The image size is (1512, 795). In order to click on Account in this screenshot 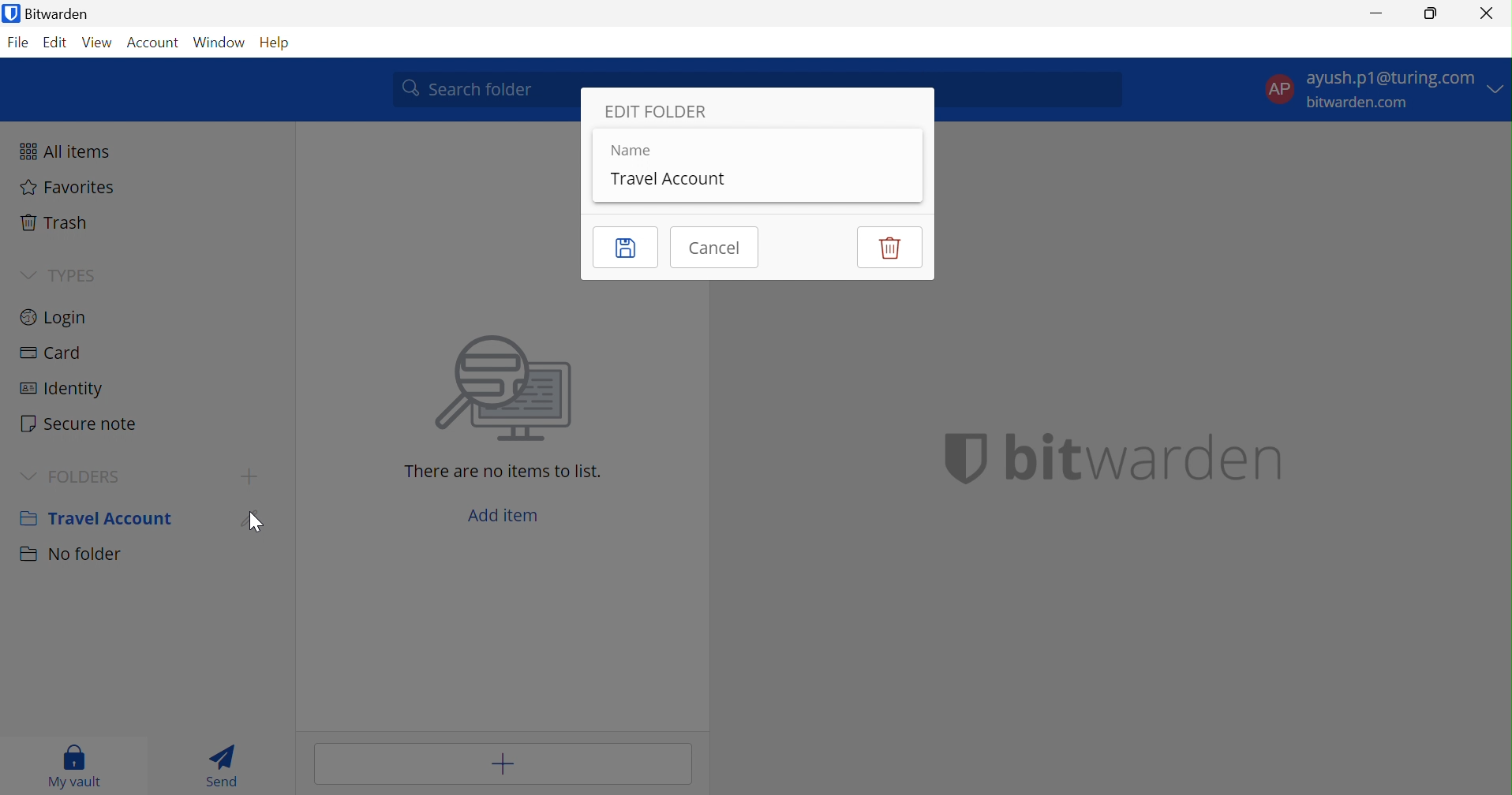, I will do `click(154, 42)`.